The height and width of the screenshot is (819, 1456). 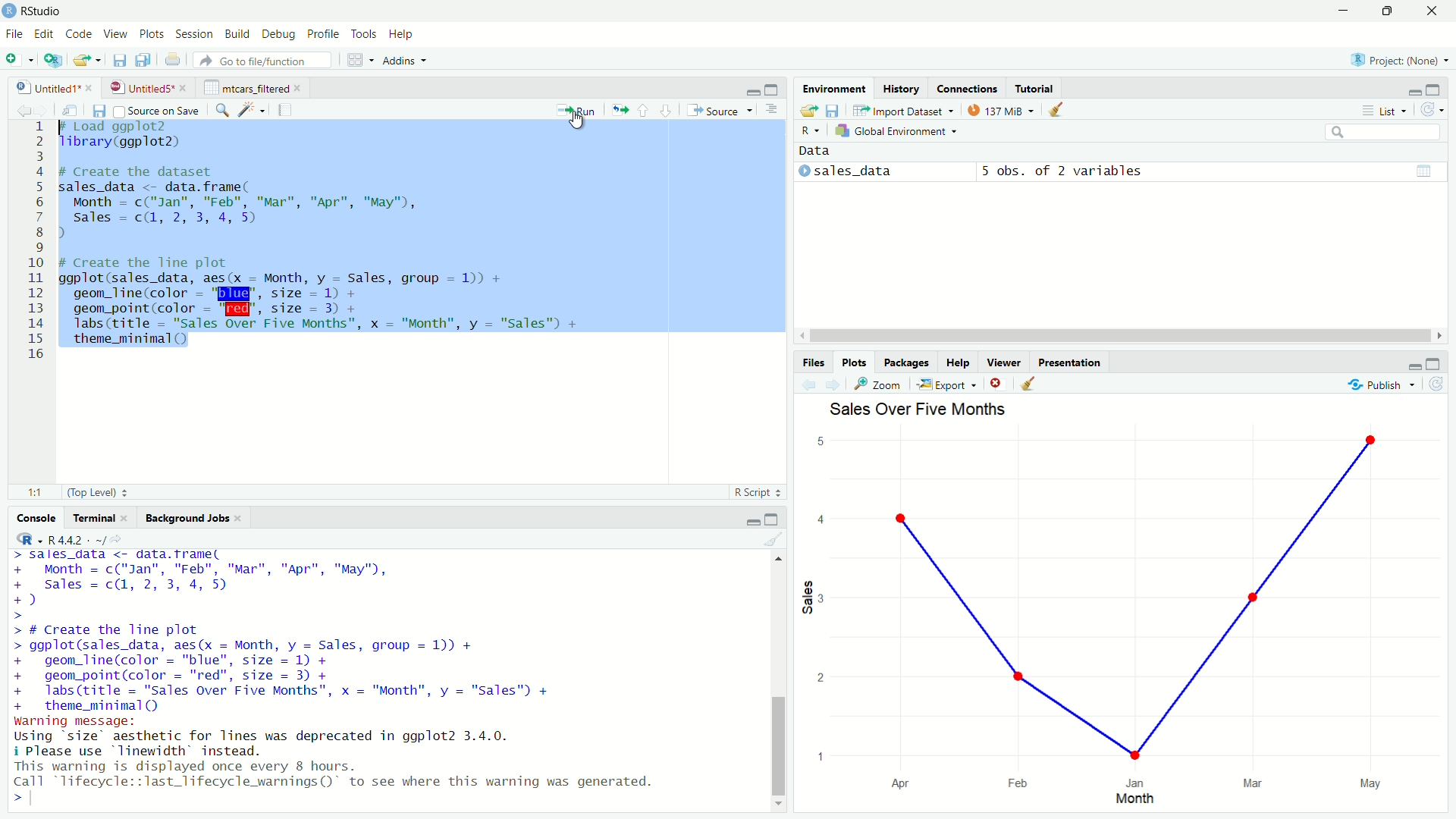 What do you see at coordinates (187, 519) in the screenshot?
I see `Background Jobs` at bounding box center [187, 519].